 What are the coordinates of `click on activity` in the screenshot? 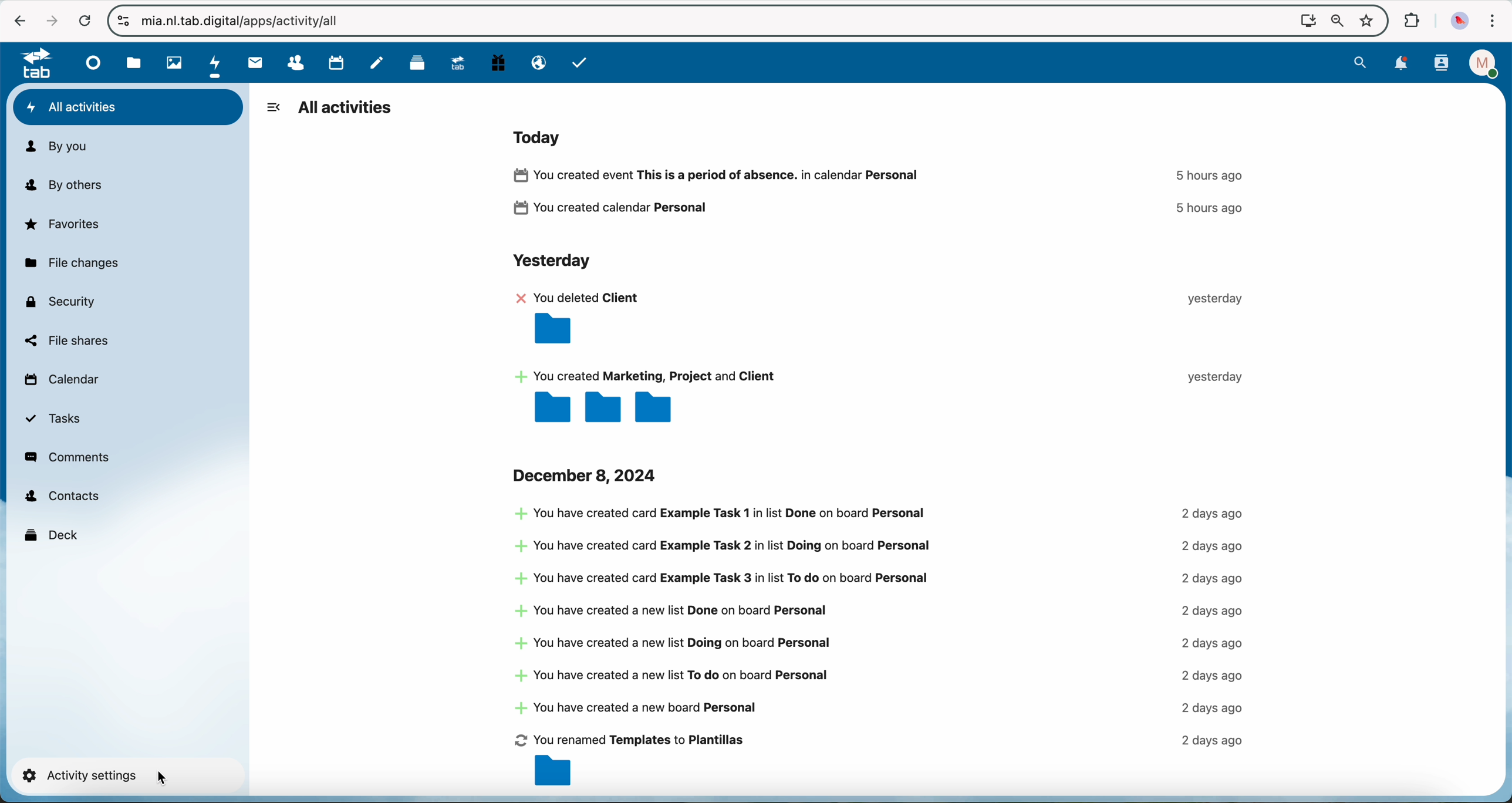 It's located at (216, 63).